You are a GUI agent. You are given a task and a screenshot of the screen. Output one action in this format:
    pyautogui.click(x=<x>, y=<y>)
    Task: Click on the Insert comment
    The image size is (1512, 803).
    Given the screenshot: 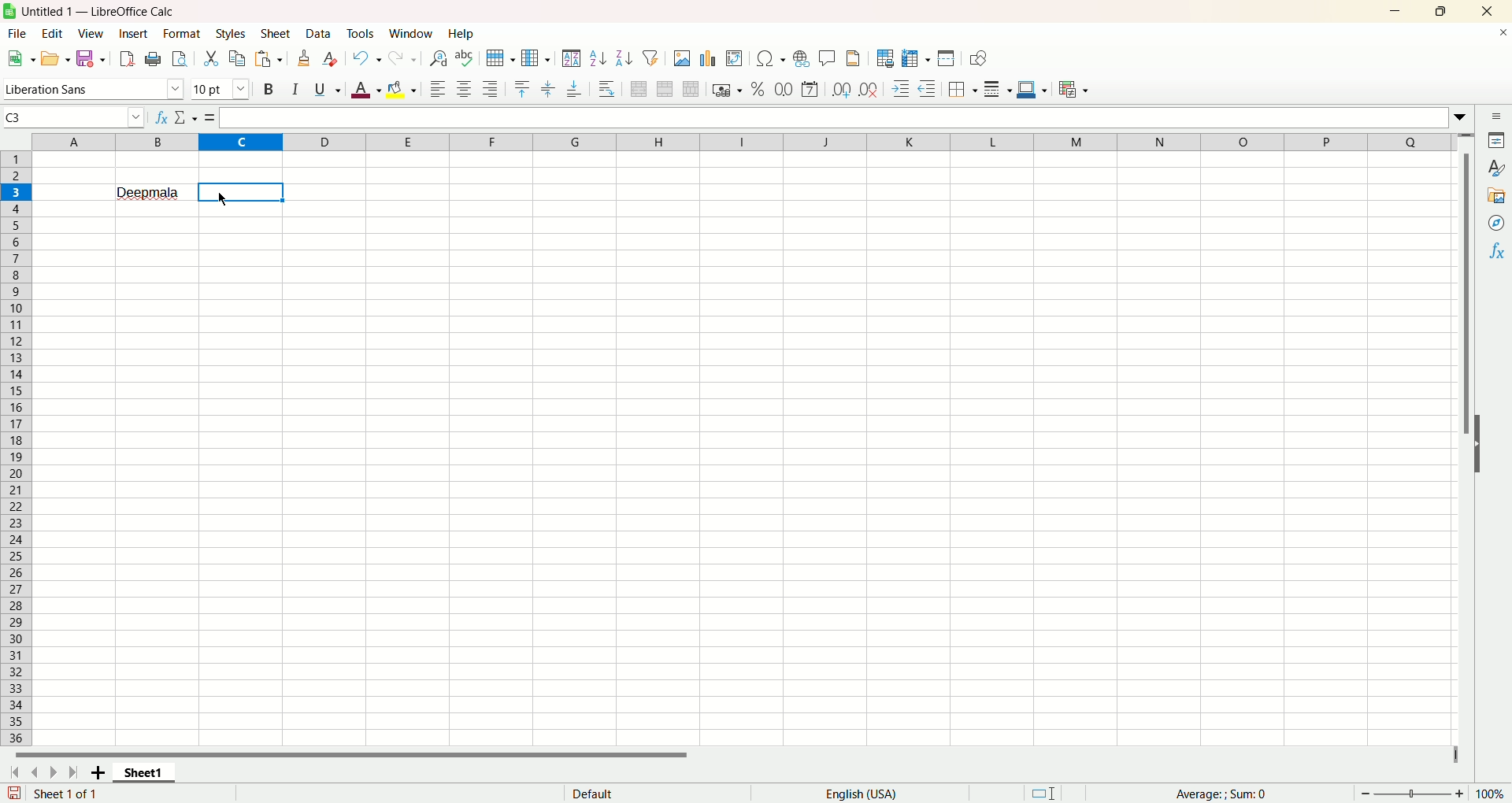 What is the action you would take?
    pyautogui.click(x=828, y=56)
    